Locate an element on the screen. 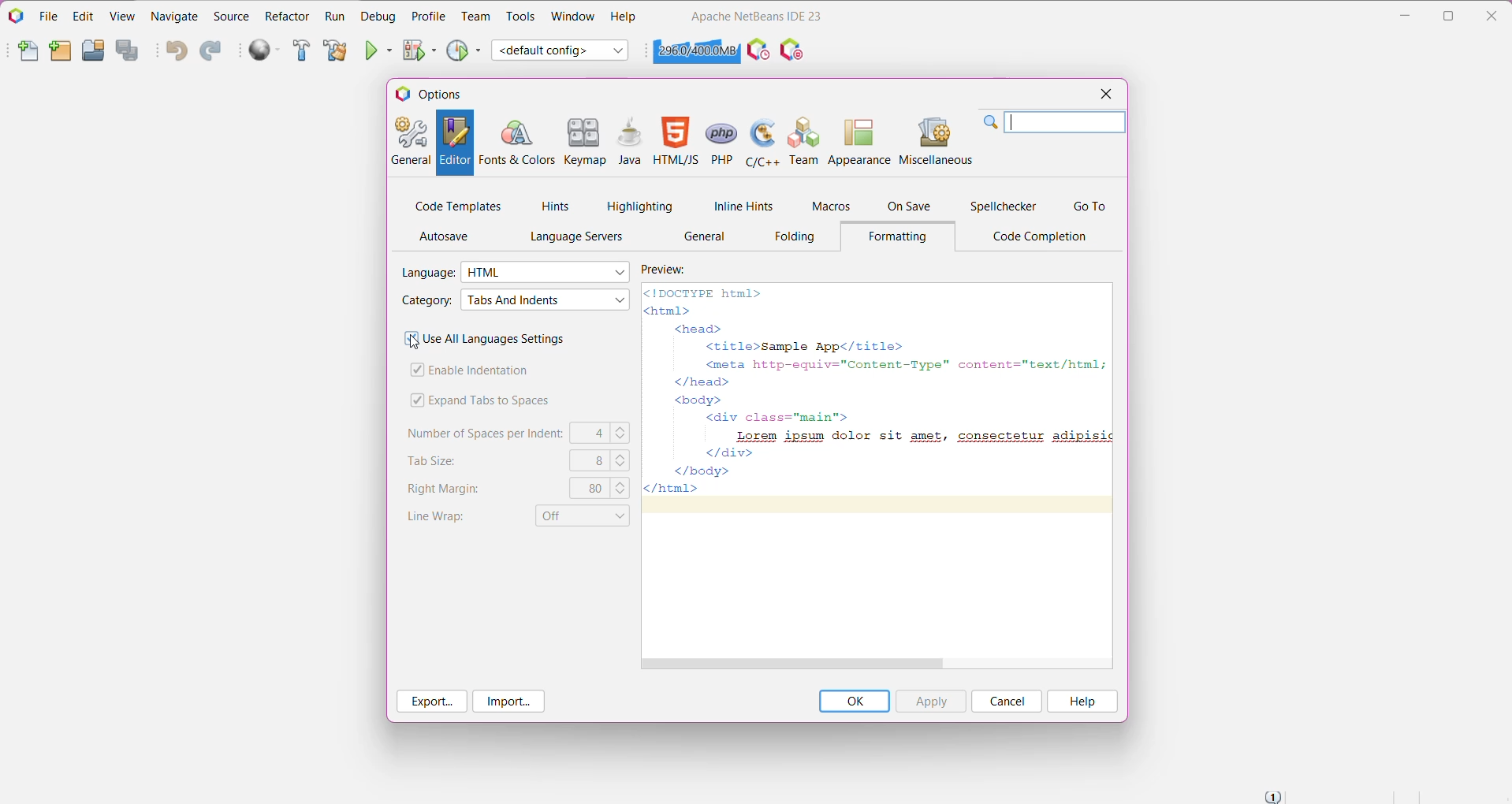  Apply is located at coordinates (930, 701).